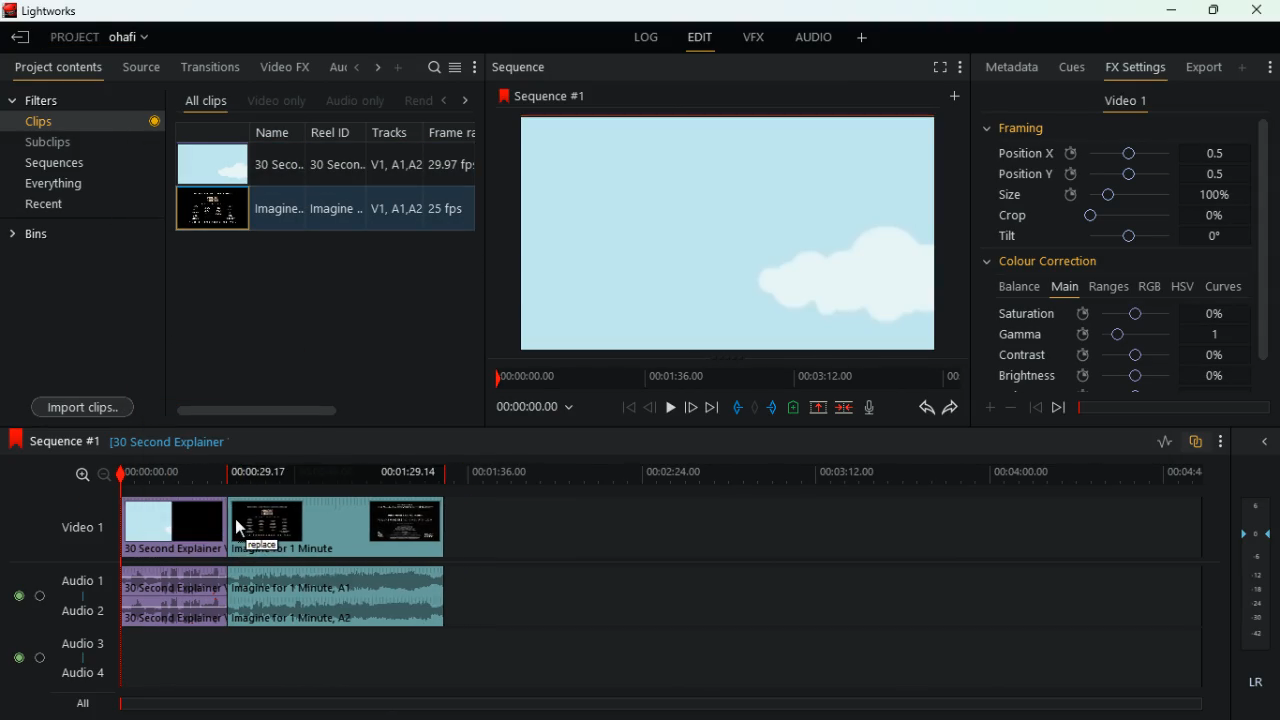 The width and height of the screenshot is (1280, 720). I want to click on rgb, so click(1150, 285).